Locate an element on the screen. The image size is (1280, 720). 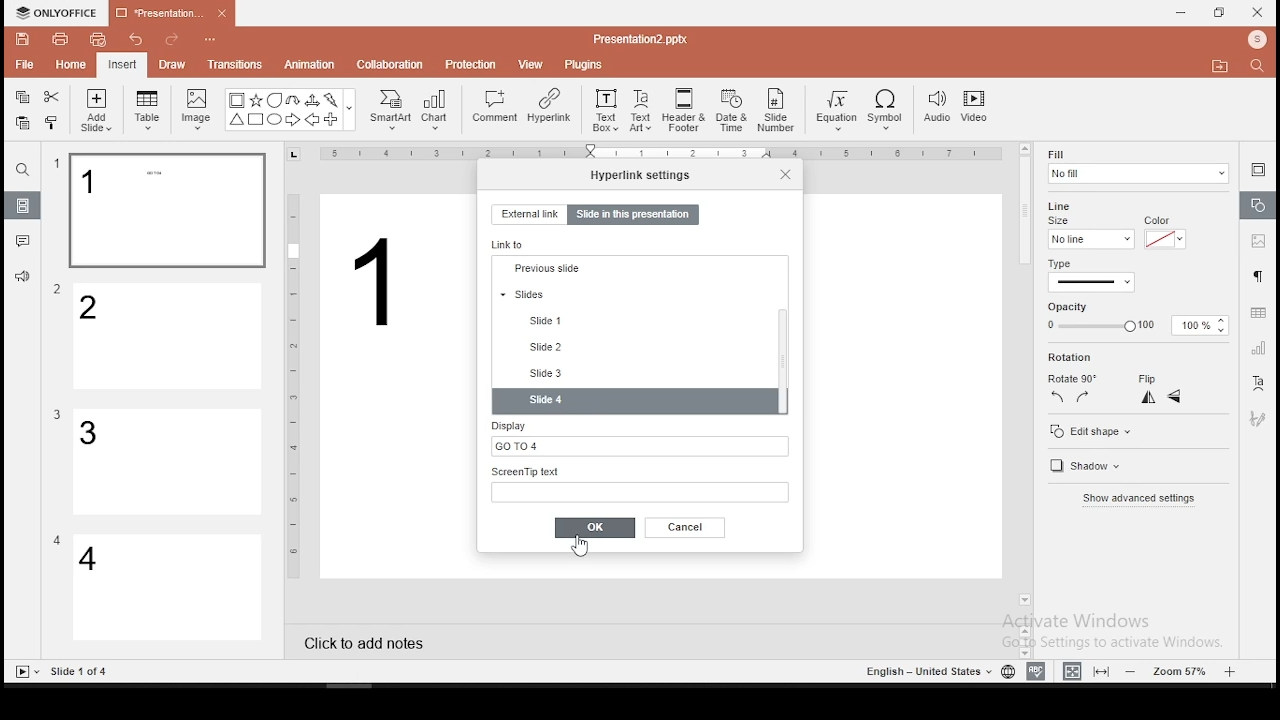
 is located at coordinates (294, 384).